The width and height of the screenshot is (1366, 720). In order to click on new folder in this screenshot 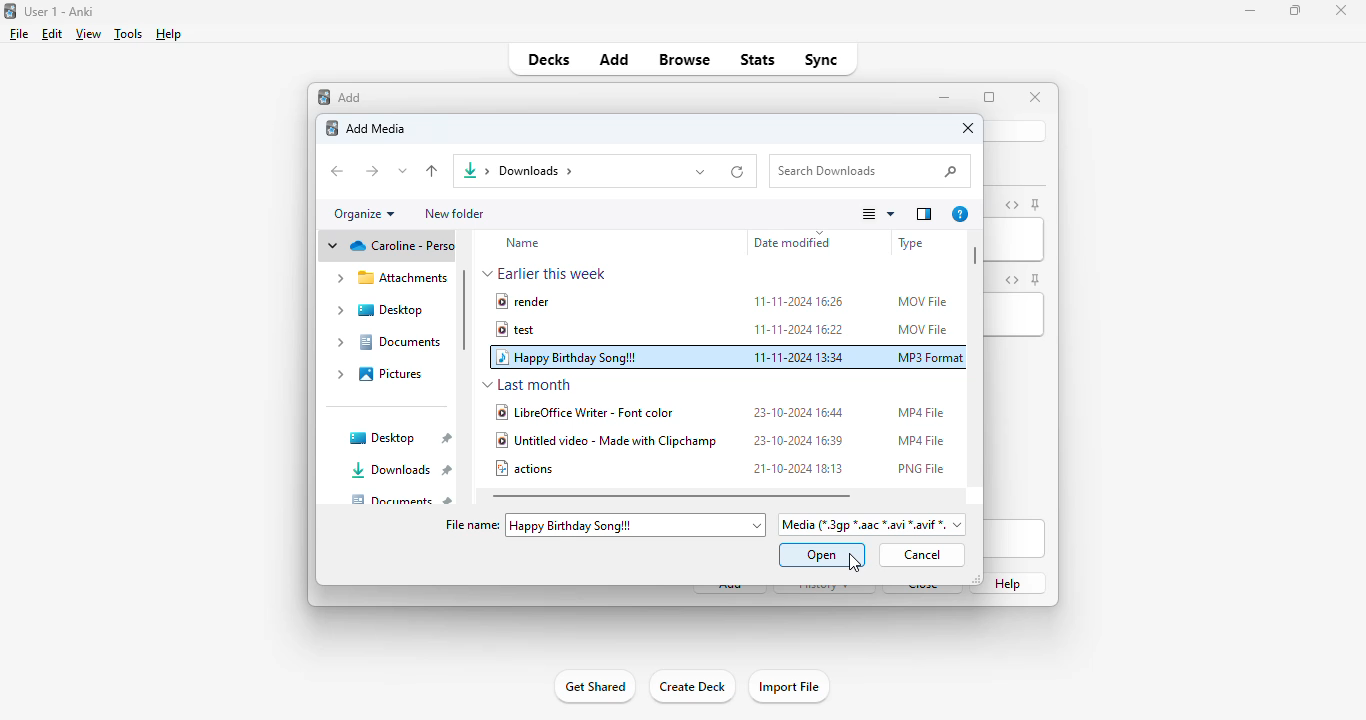, I will do `click(453, 213)`.